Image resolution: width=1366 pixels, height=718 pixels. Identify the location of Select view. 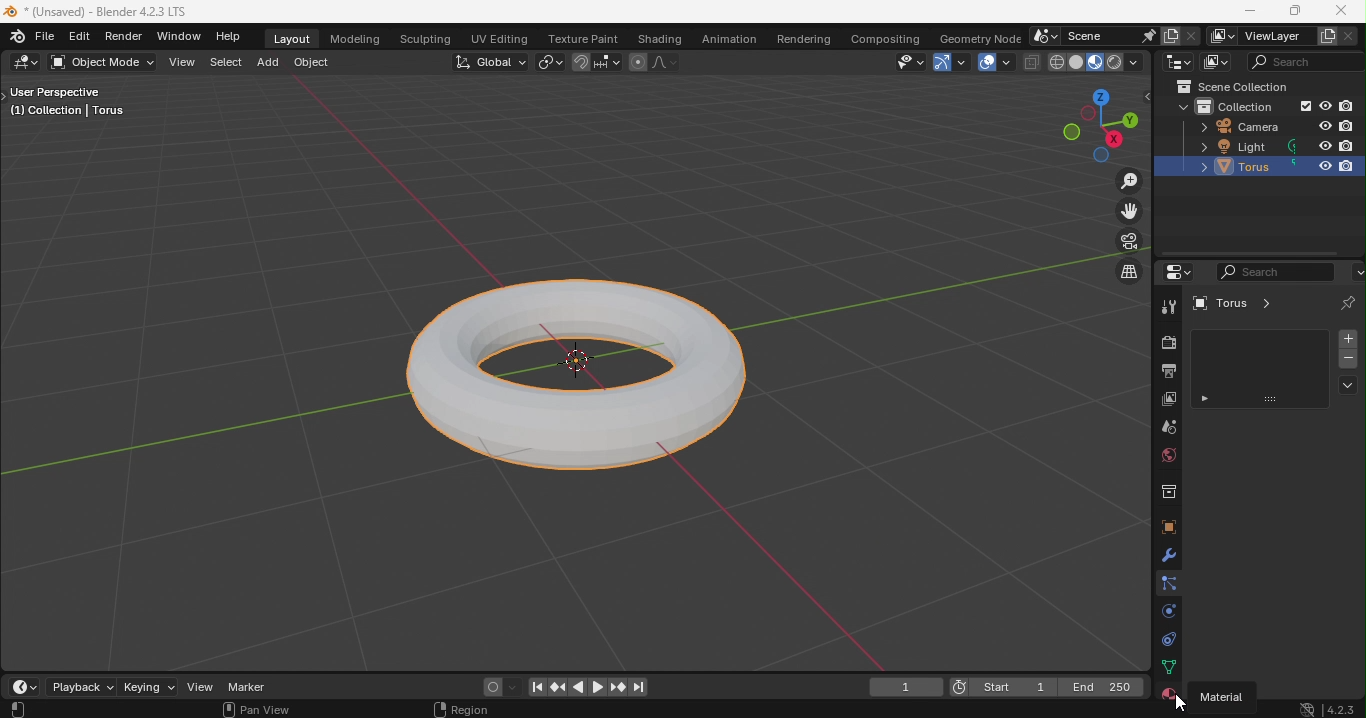
(21, 709).